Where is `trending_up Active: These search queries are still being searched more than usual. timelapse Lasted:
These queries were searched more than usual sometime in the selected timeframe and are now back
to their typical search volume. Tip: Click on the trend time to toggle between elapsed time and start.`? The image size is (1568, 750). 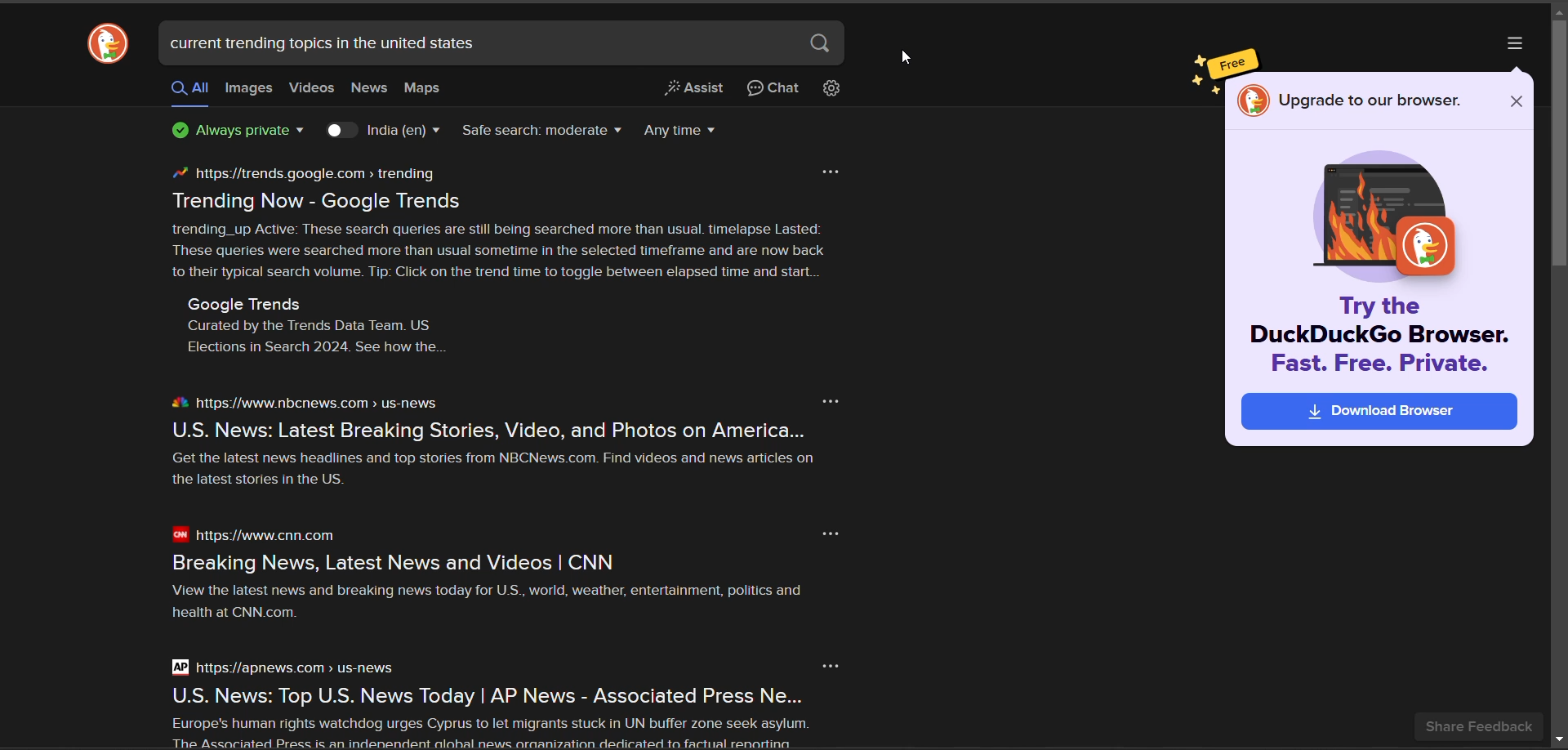
trending_up Active: These search queries are still being searched more than usual. timelapse Lasted:
These queries were searched more than usual sometime in the selected timeframe and are now back
to their typical search volume. Tip: Click on the trend time to toggle between elapsed time and start. is located at coordinates (502, 252).